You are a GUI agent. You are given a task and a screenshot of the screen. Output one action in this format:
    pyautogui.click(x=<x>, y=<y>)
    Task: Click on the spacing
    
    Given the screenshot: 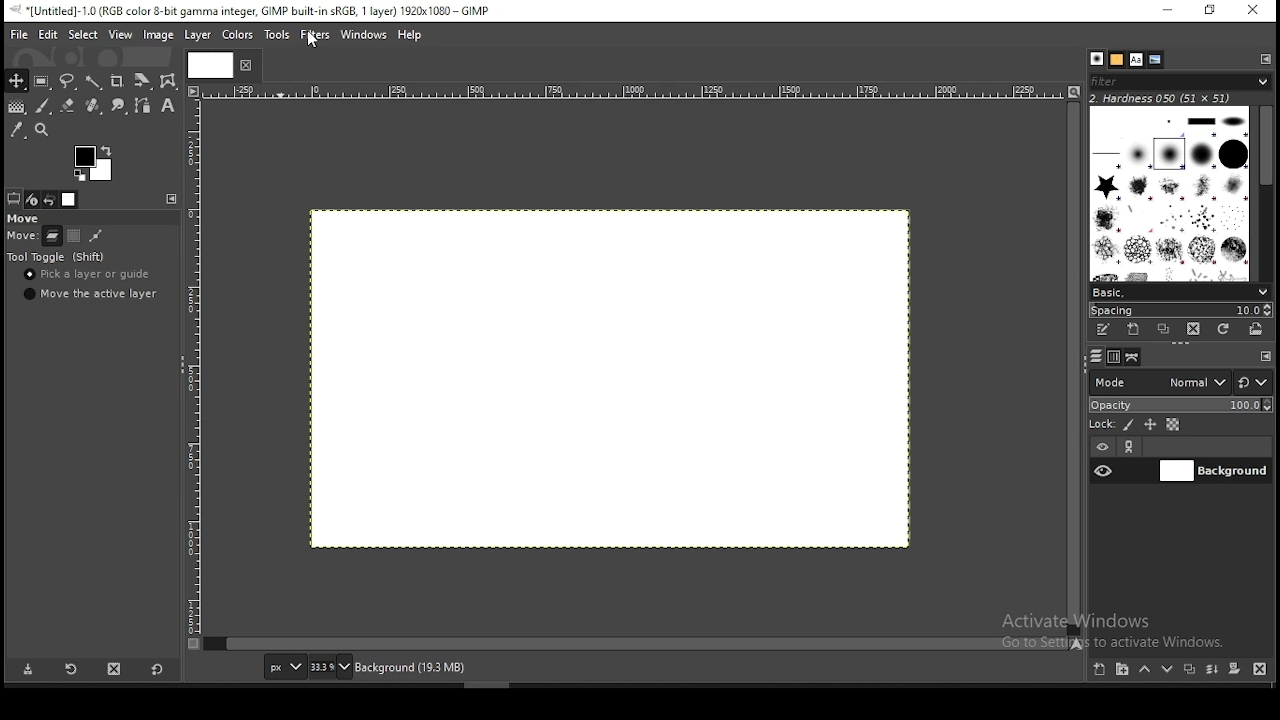 What is the action you would take?
    pyautogui.click(x=1183, y=312)
    